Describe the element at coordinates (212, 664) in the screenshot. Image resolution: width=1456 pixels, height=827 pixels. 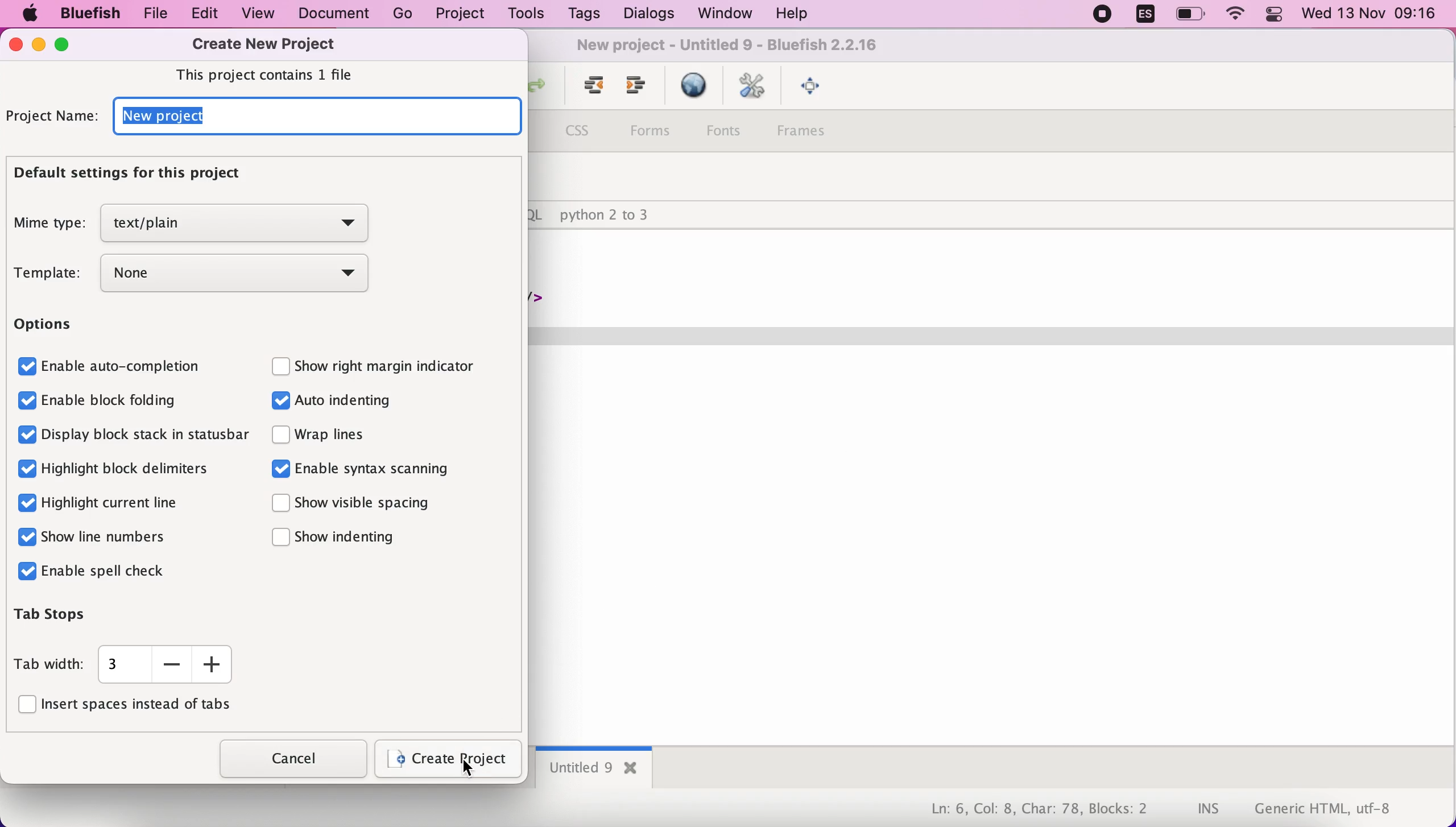
I see `increment tab width` at that location.